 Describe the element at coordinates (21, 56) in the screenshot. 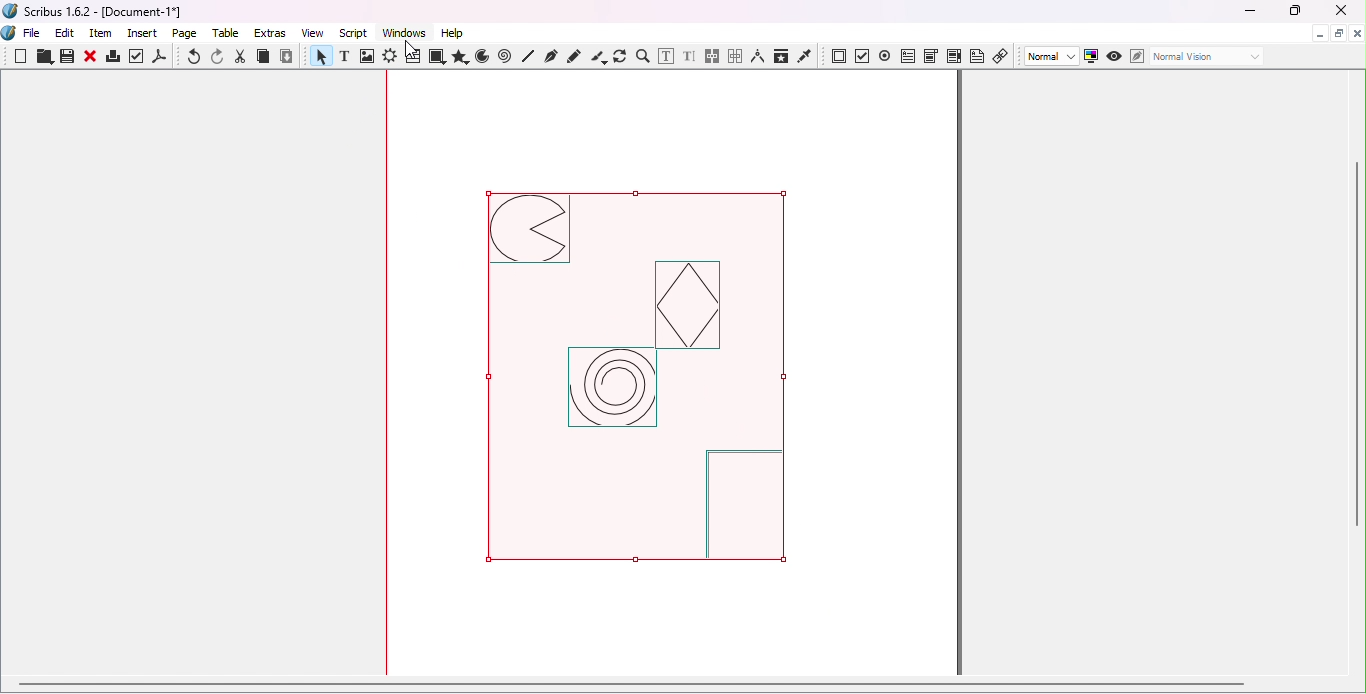

I see `New` at that location.